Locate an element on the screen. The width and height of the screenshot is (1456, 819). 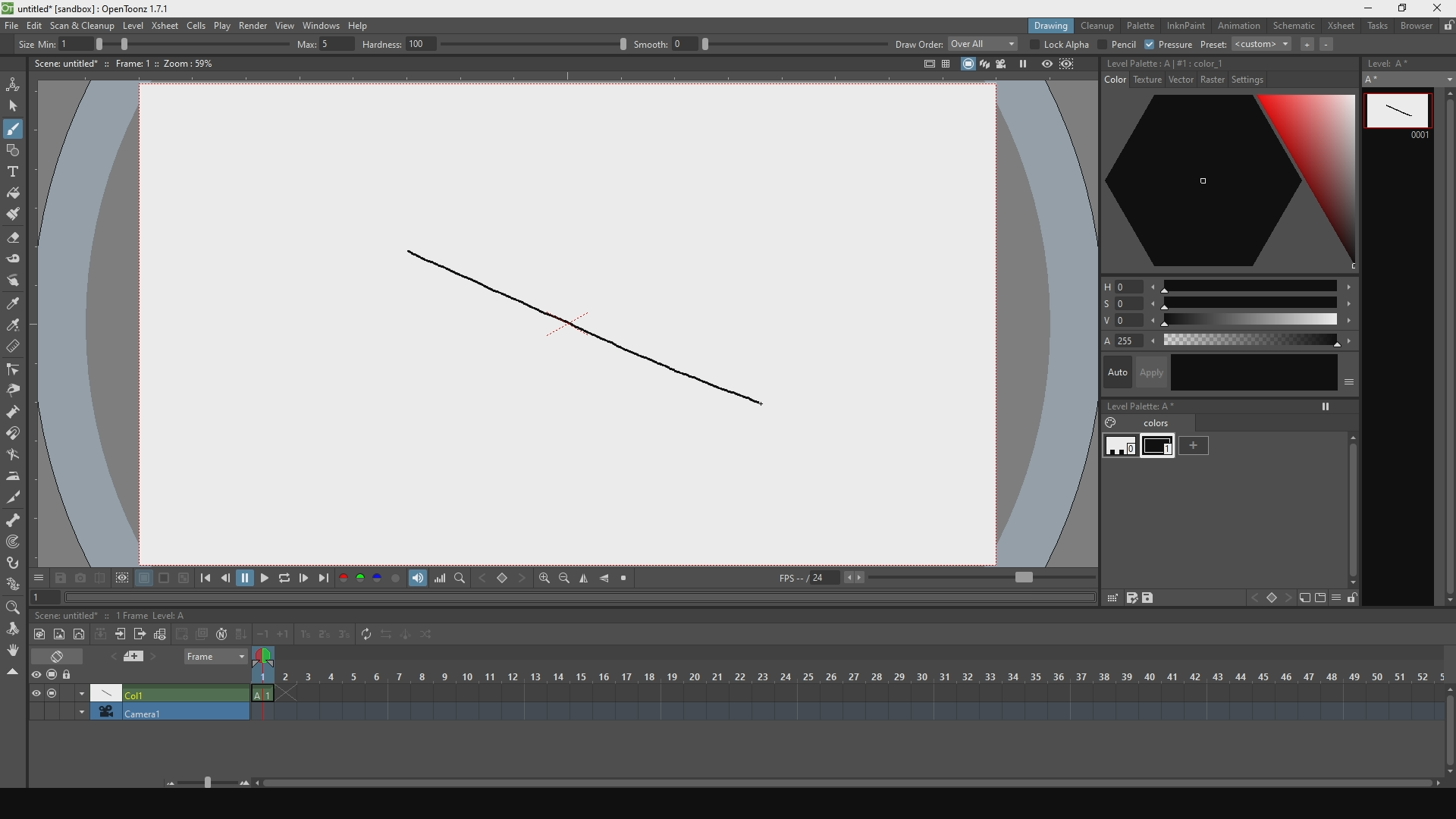
animate is located at coordinates (17, 83).